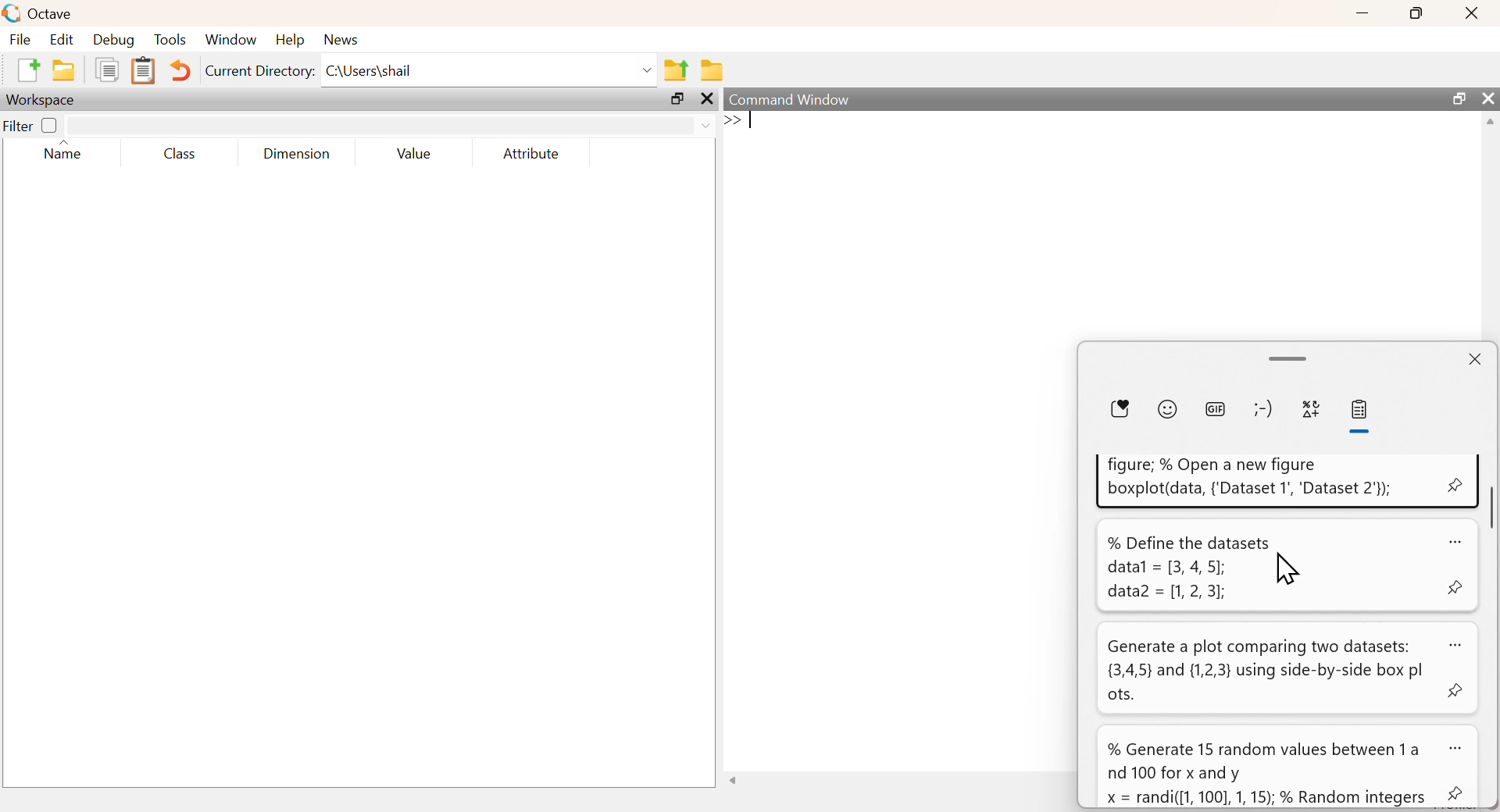 This screenshot has height=812, width=1500. Describe the element at coordinates (171, 39) in the screenshot. I see `Tools` at that location.